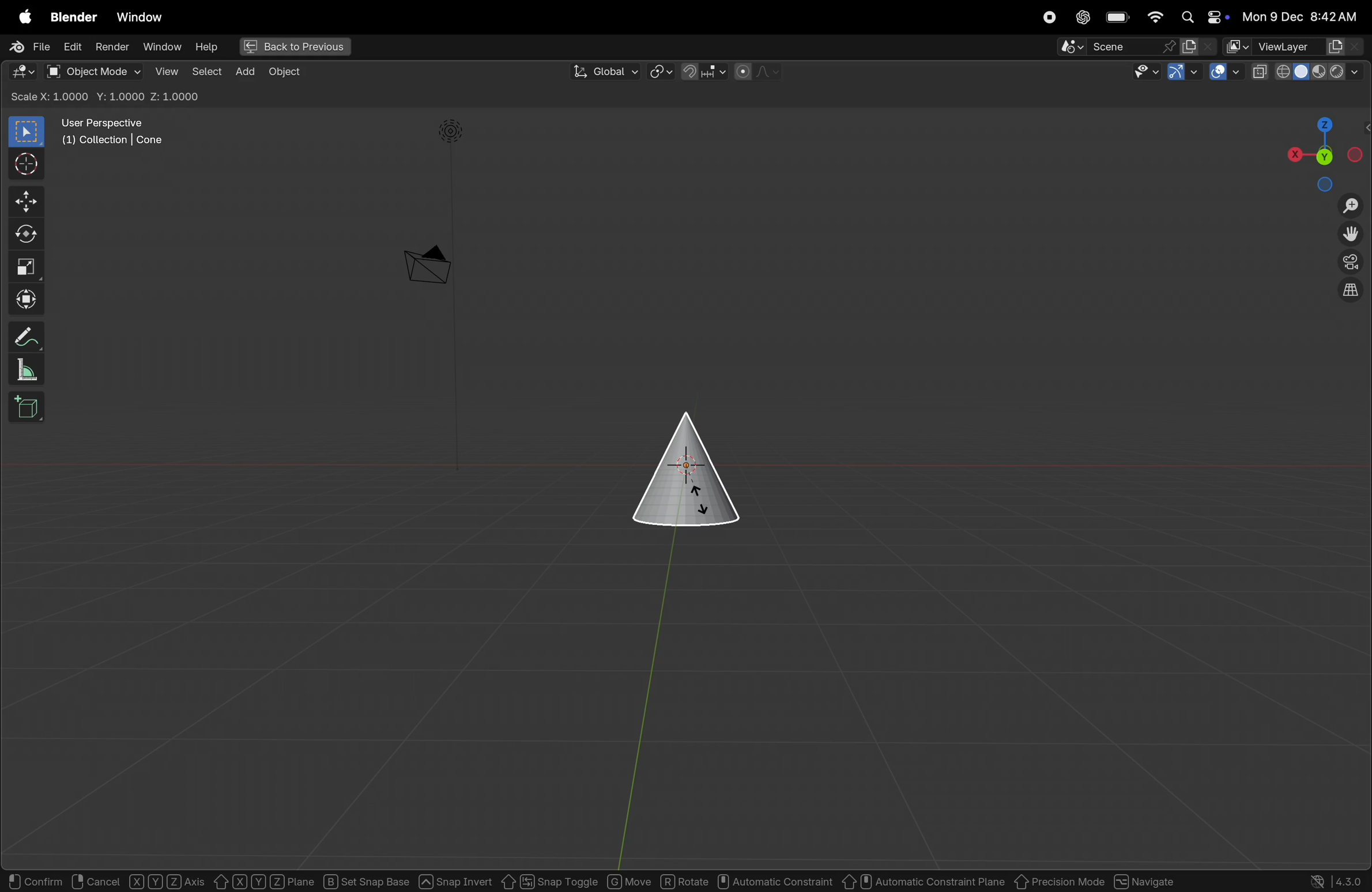 The image size is (1372, 892). What do you see at coordinates (22, 14) in the screenshot?
I see `apple menu` at bounding box center [22, 14].